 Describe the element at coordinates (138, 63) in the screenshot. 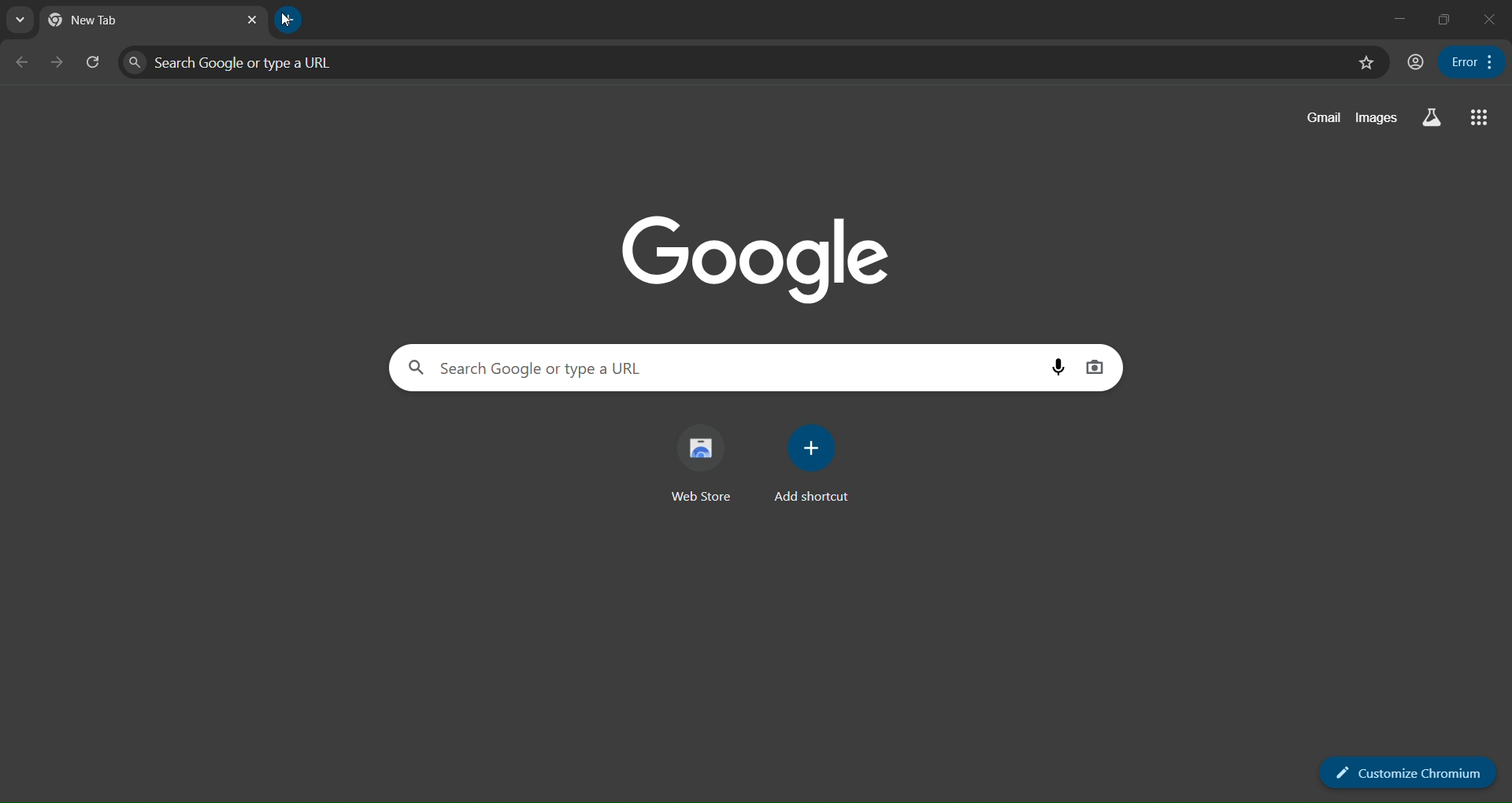

I see `search` at that location.